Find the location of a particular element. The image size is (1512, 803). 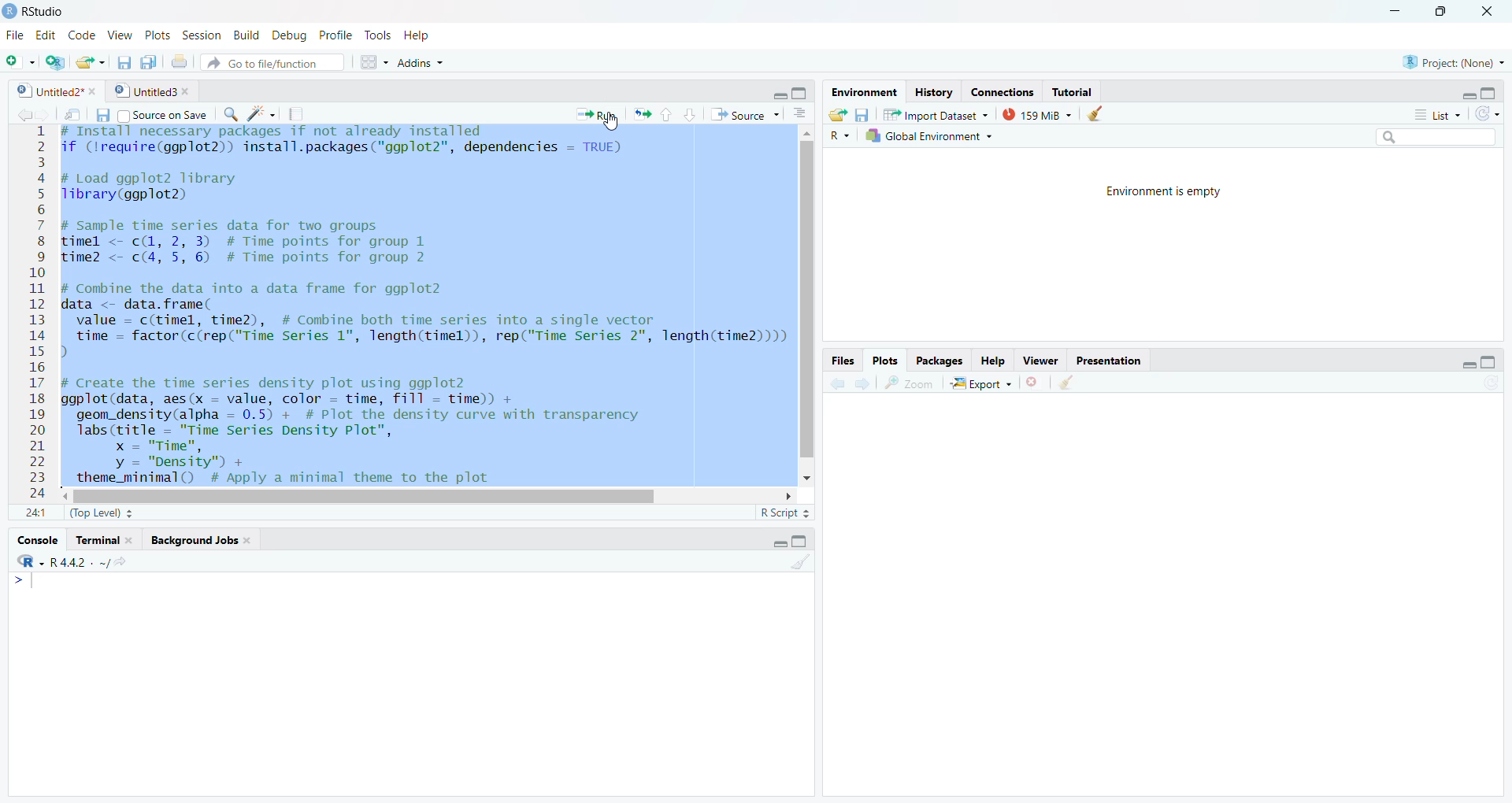

R is located at coordinates (28, 561).